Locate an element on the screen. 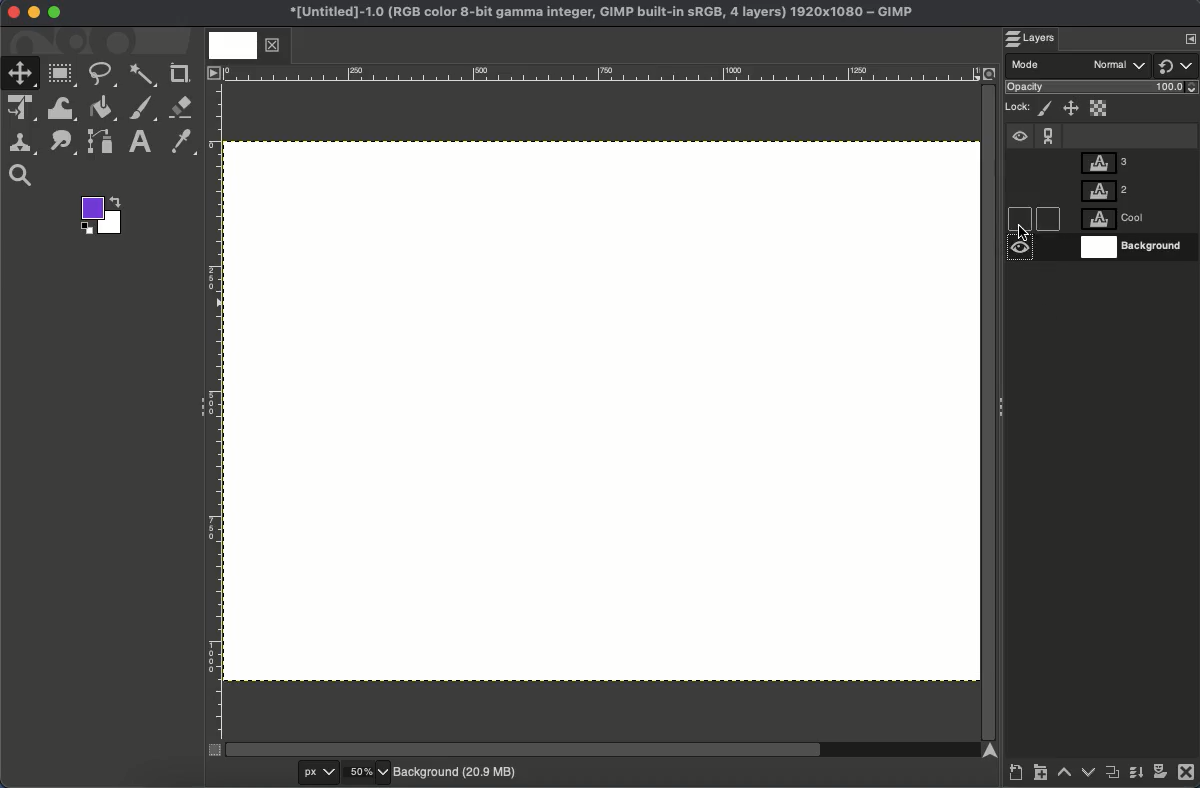 The image size is (1200, 788). Mode is located at coordinates (1080, 66).